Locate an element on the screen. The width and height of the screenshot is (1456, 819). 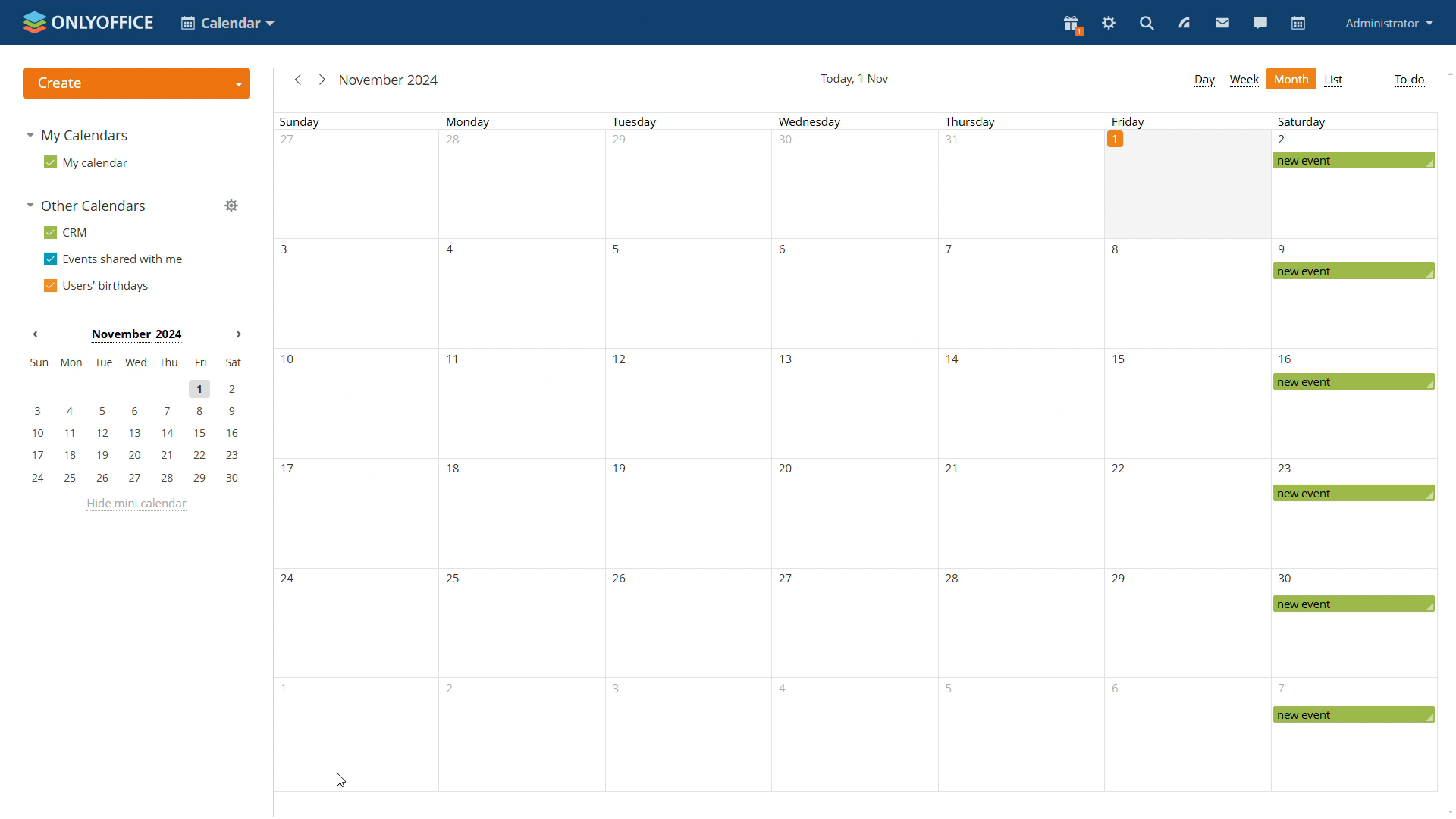
list view  is located at coordinates (1335, 80).